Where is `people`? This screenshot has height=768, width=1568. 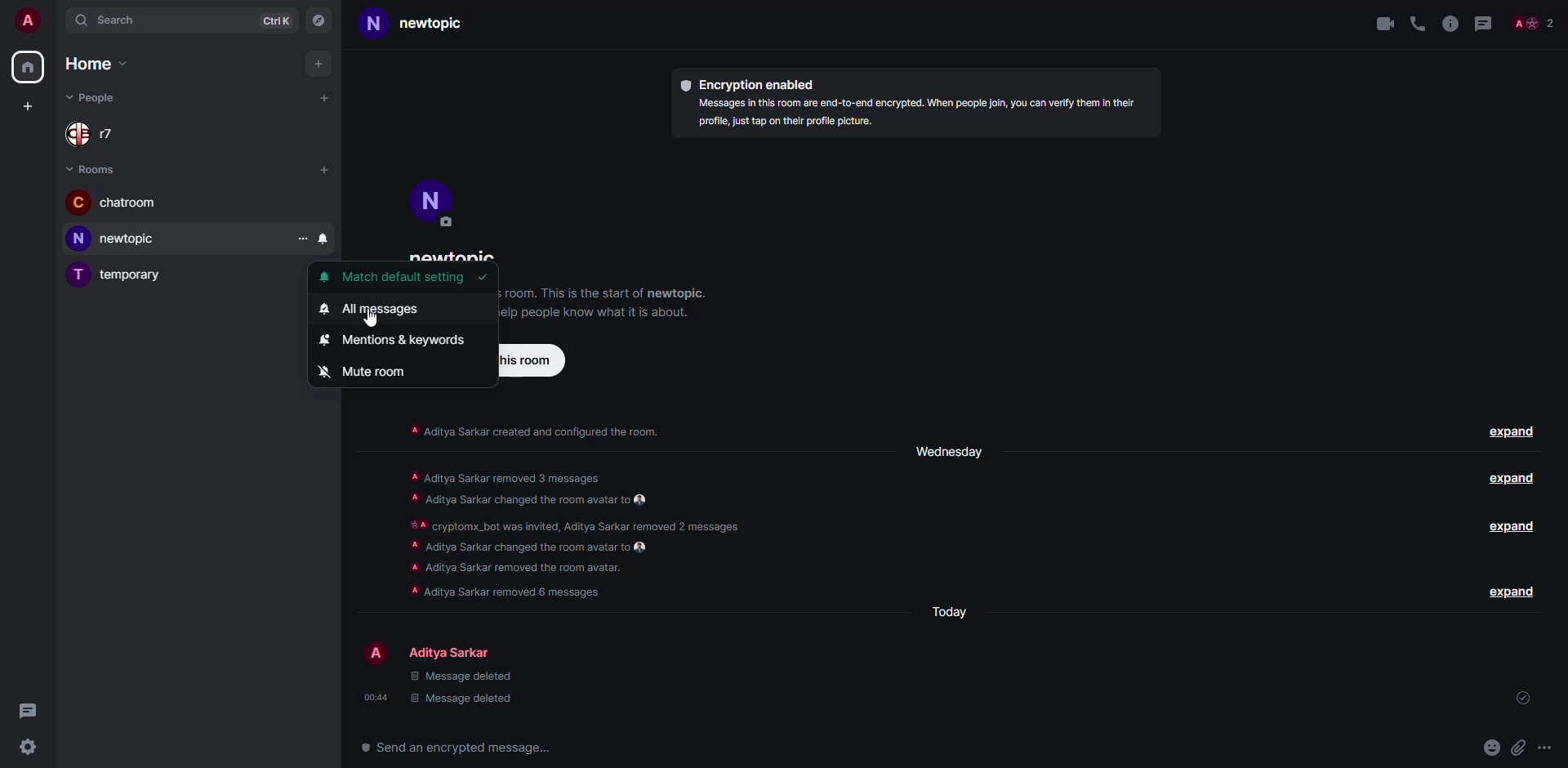 people is located at coordinates (95, 96).